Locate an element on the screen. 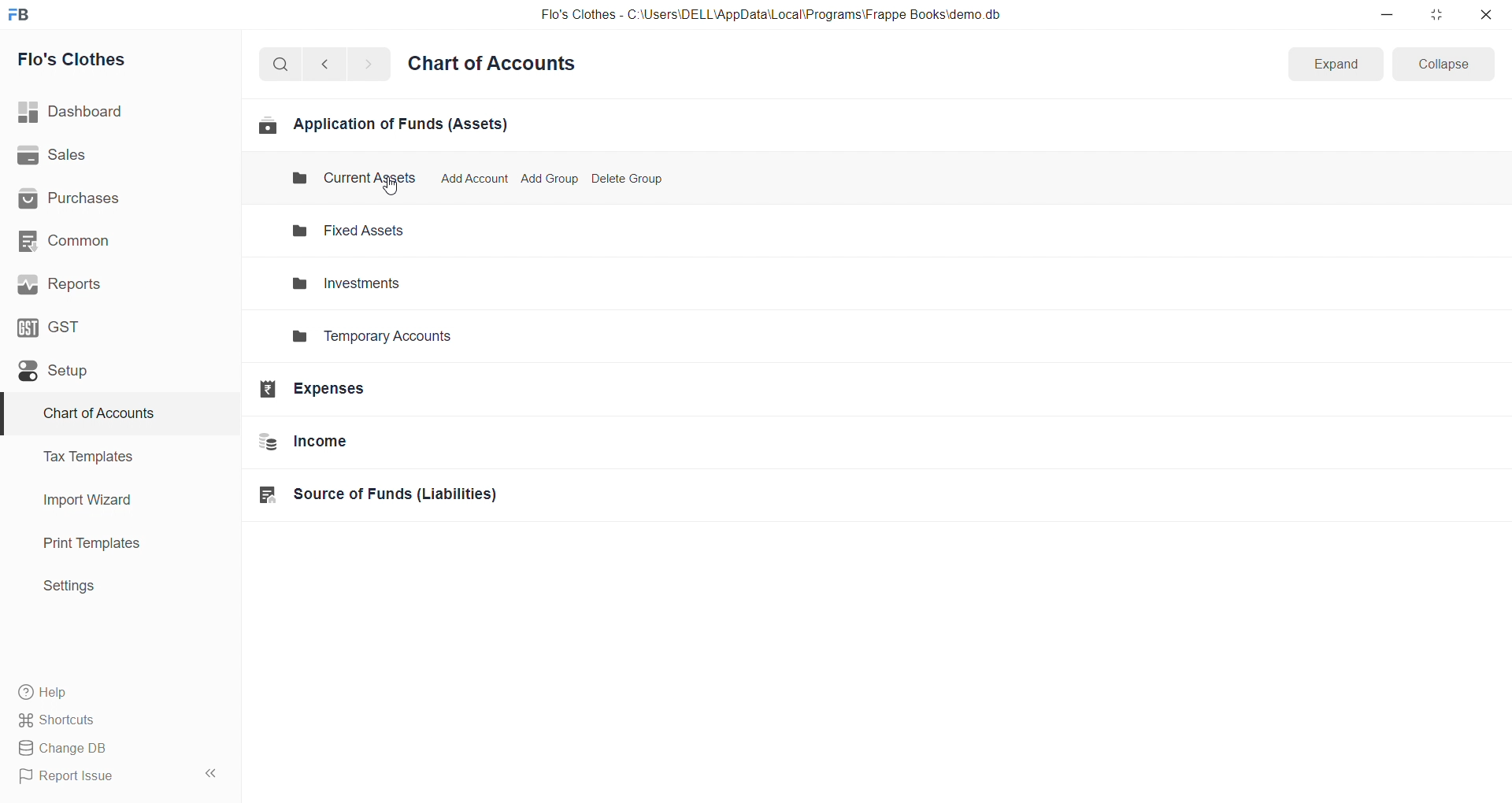 The width and height of the screenshot is (1512, 803). Temporary Accounts is located at coordinates (383, 339).